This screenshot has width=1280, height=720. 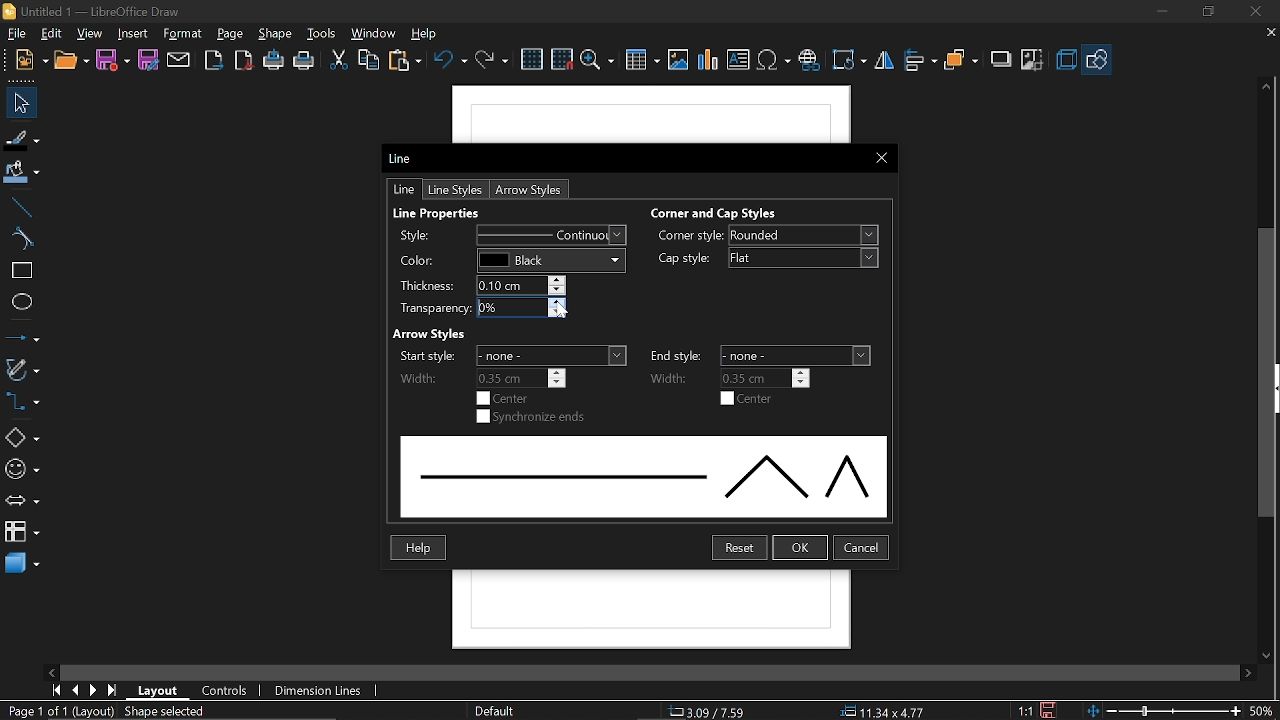 What do you see at coordinates (1271, 34) in the screenshot?
I see `close tab` at bounding box center [1271, 34].